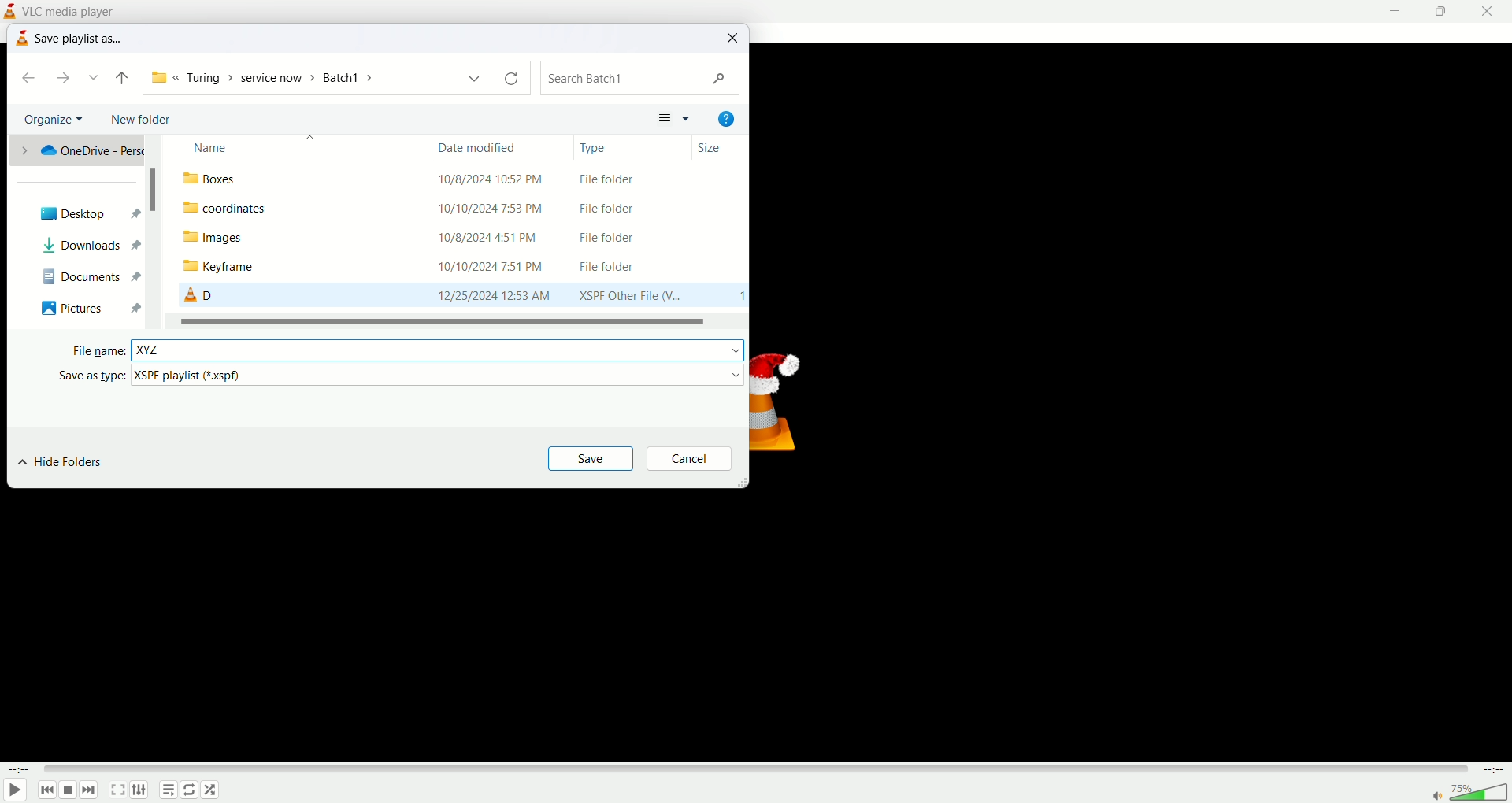 This screenshot has height=803, width=1512. What do you see at coordinates (96, 77) in the screenshot?
I see `drop down` at bounding box center [96, 77].